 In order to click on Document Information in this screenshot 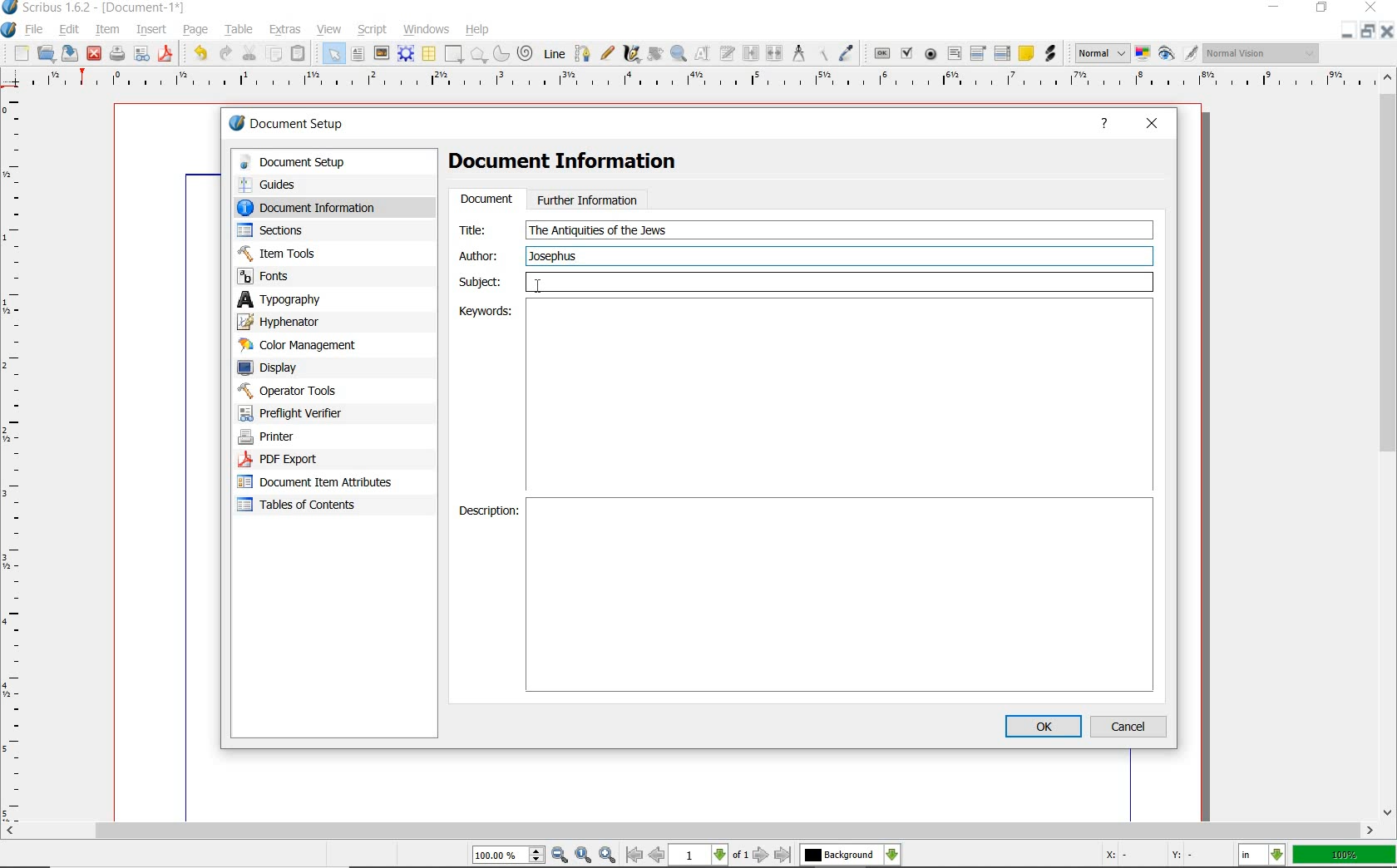, I will do `click(576, 164)`.